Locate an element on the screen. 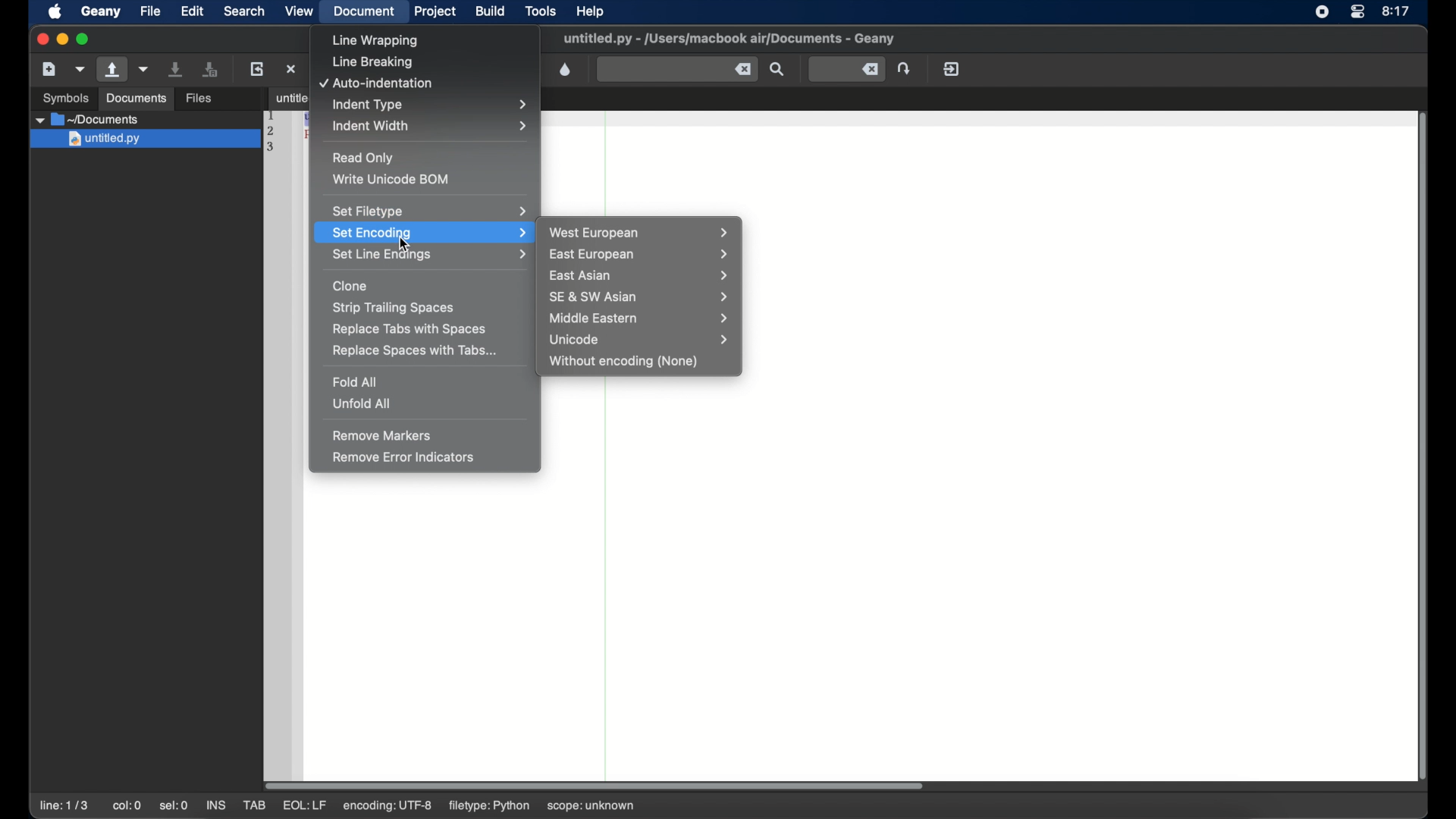 The height and width of the screenshot is (819, 1456). read only is located at coordinates (364, 158).